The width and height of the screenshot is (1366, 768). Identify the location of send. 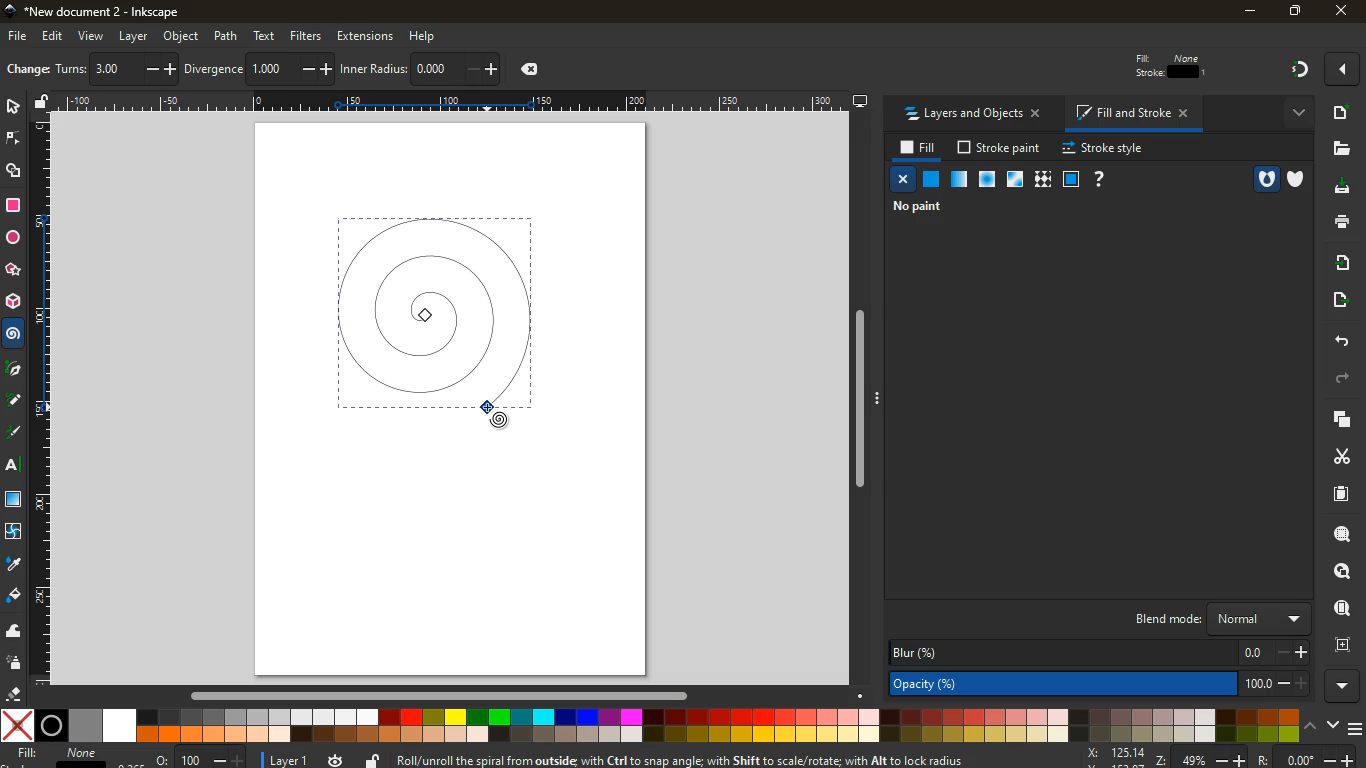
(1340, 299).